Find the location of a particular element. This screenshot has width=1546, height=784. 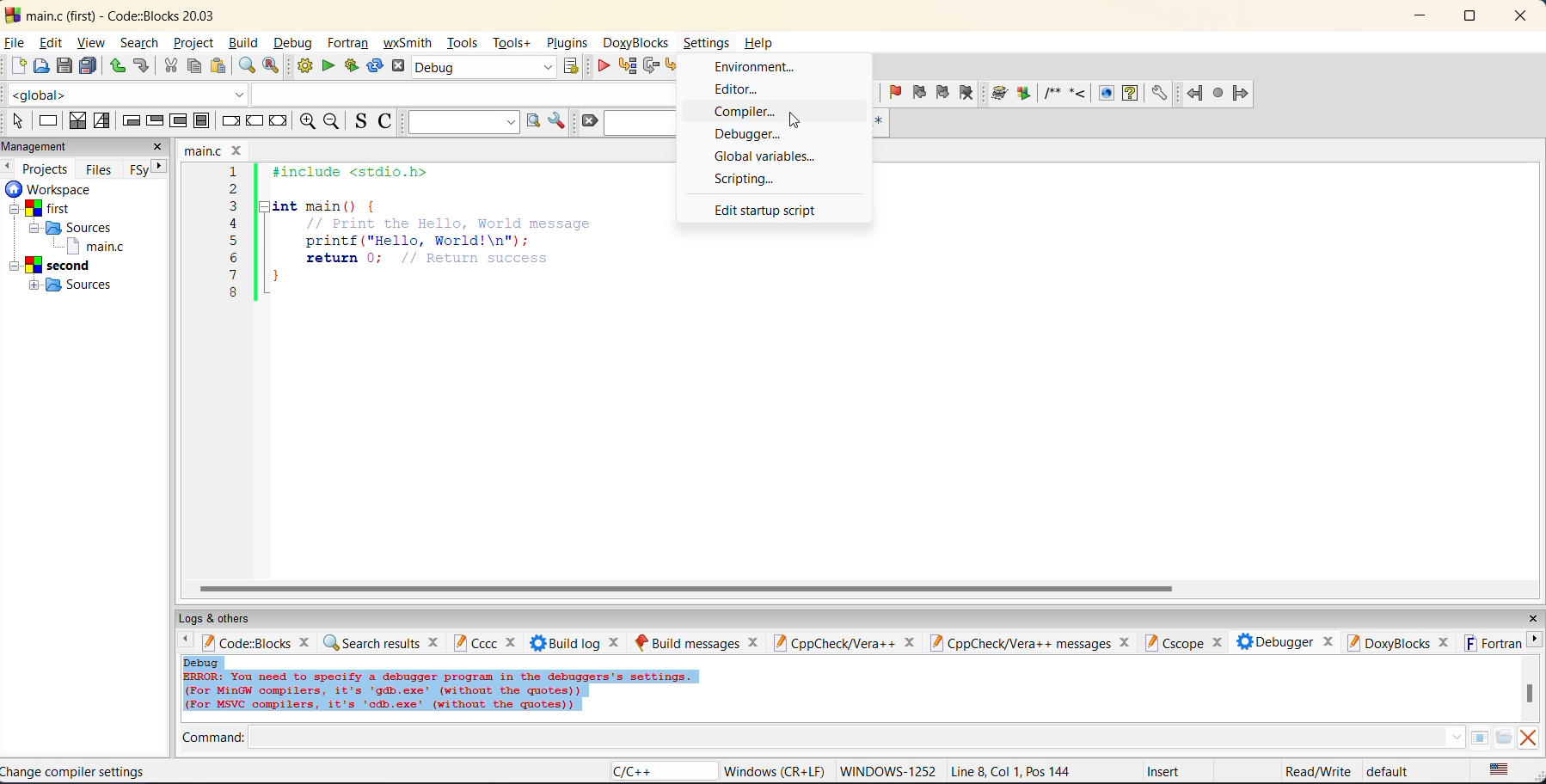

redo is located at coordinates (142, 65).